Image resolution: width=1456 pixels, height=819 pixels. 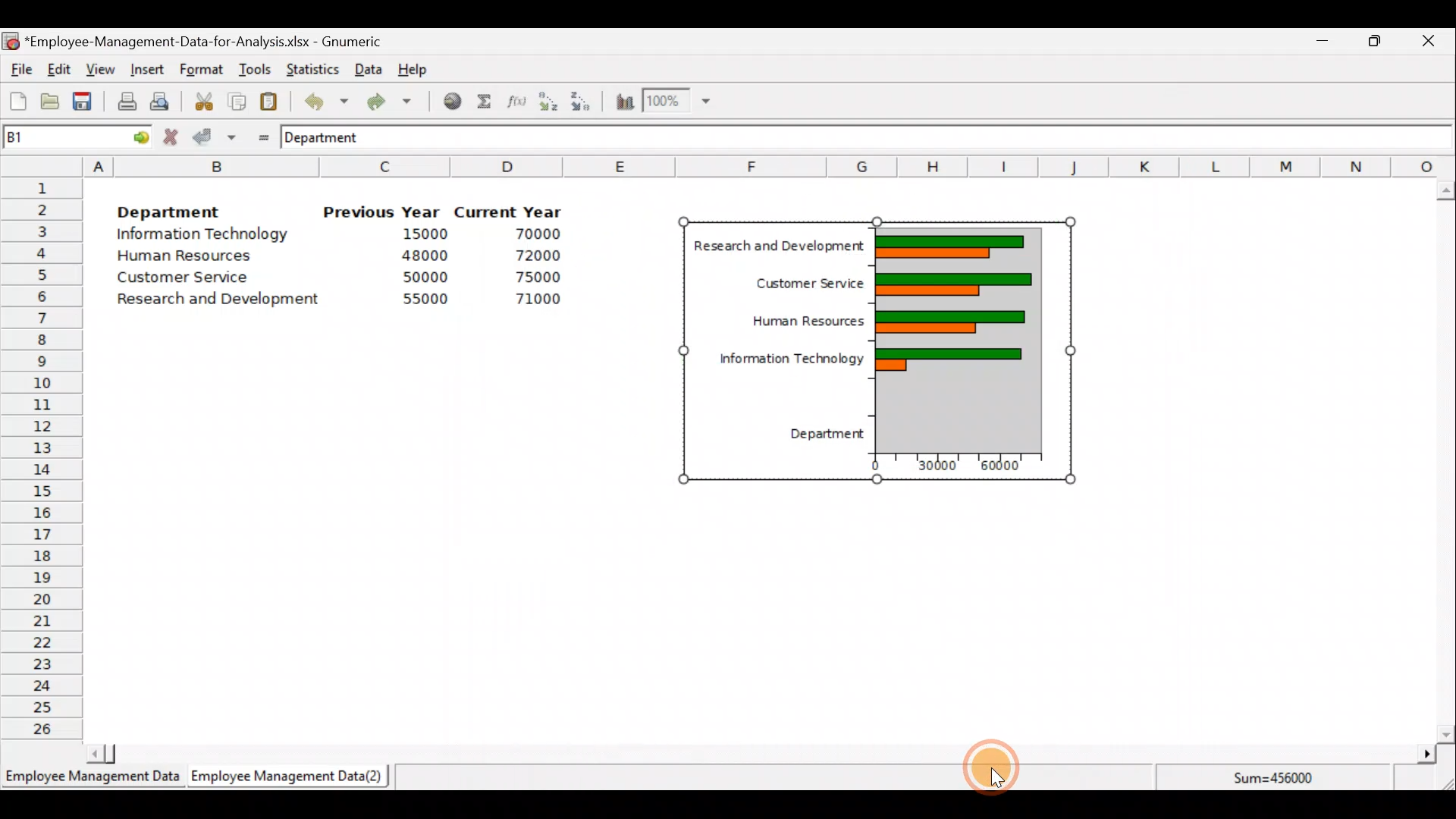 What do you see at coordinates (192, 257) in the screenshot?
I see `Human Resources` at bounding box center [192, 257].